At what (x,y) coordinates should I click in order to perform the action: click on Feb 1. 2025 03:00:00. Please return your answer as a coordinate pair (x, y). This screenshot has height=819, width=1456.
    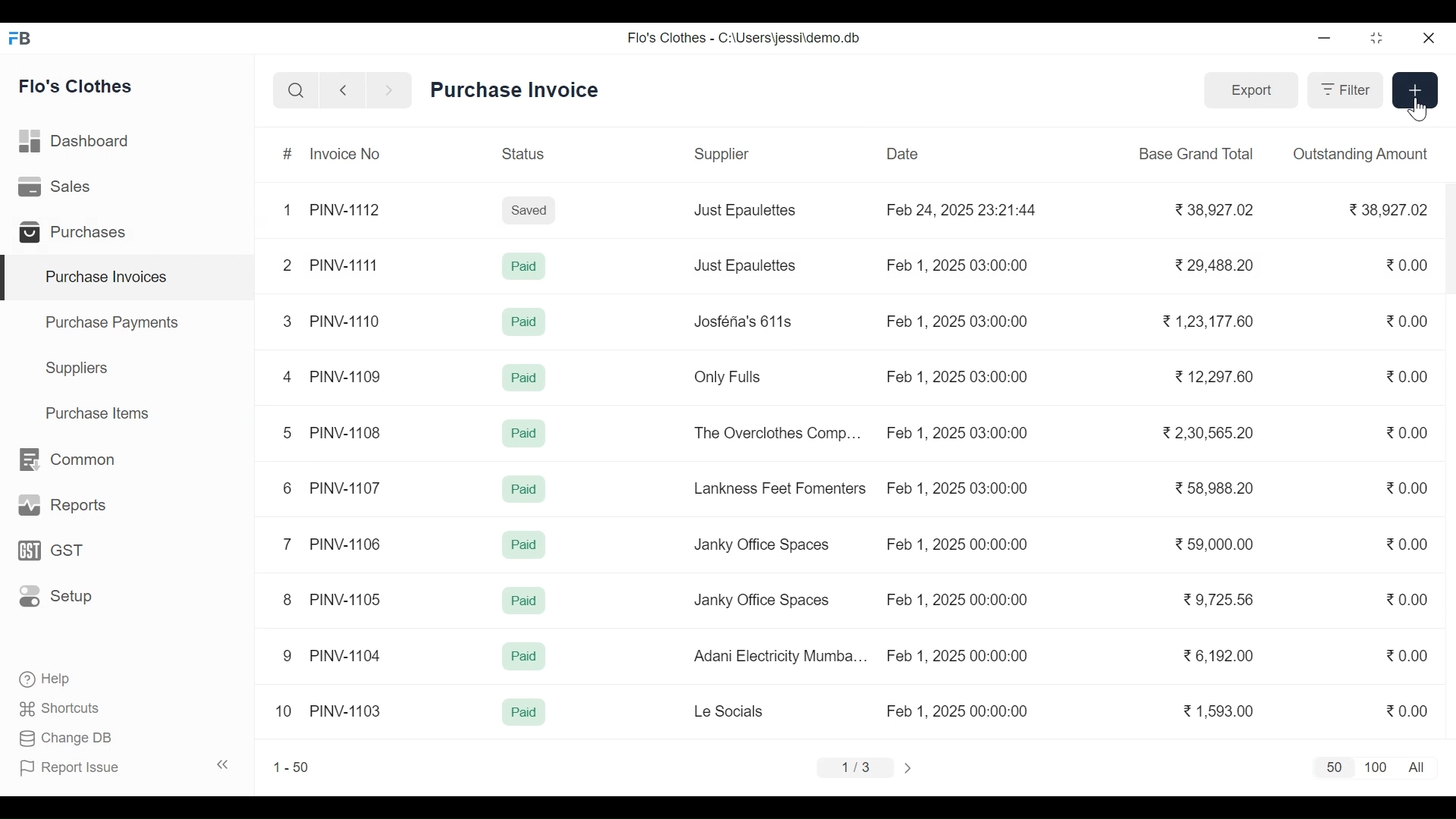
    Looking at the image, I should click on (958, 431).